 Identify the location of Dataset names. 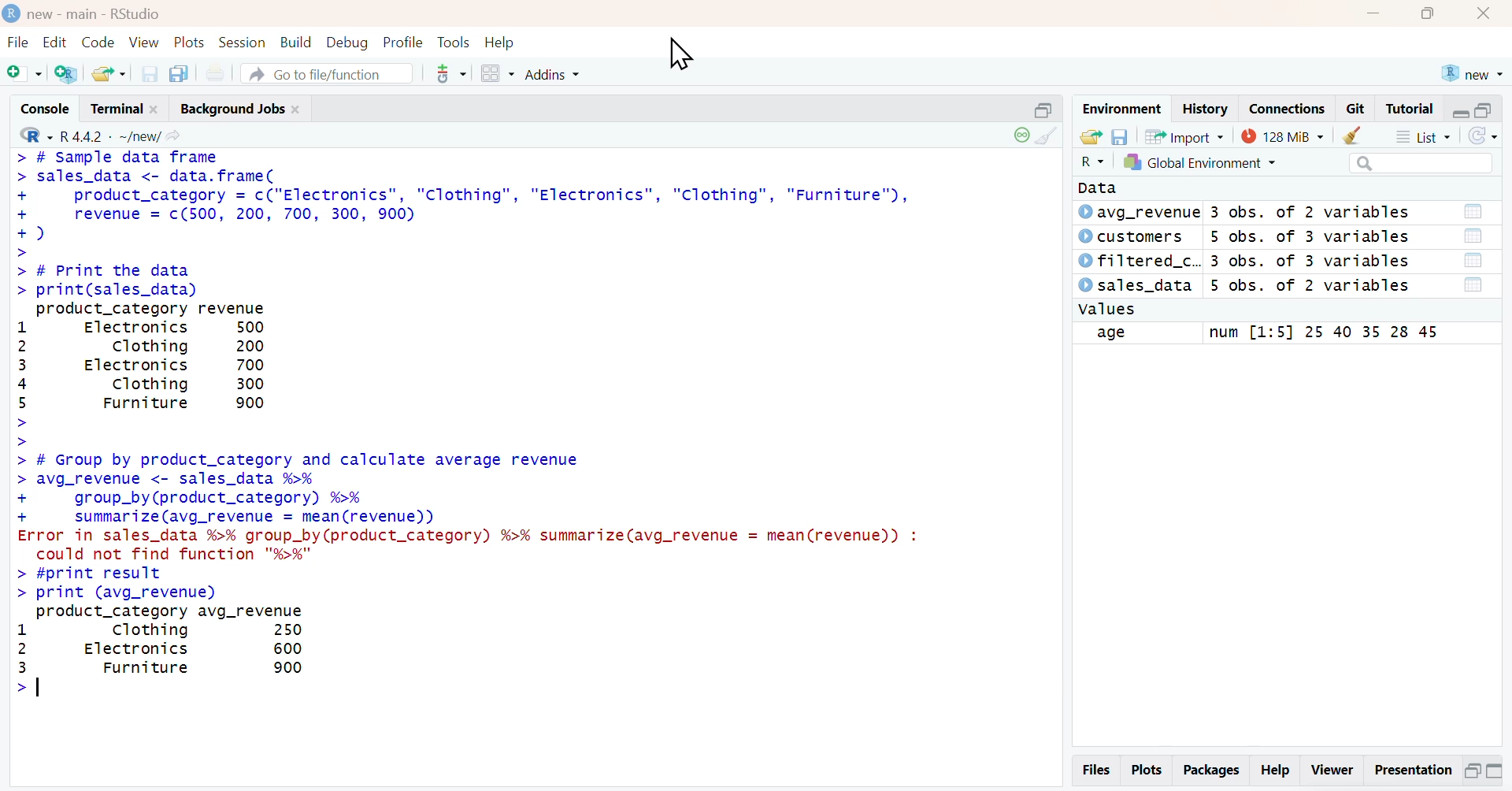
(1138, 249).